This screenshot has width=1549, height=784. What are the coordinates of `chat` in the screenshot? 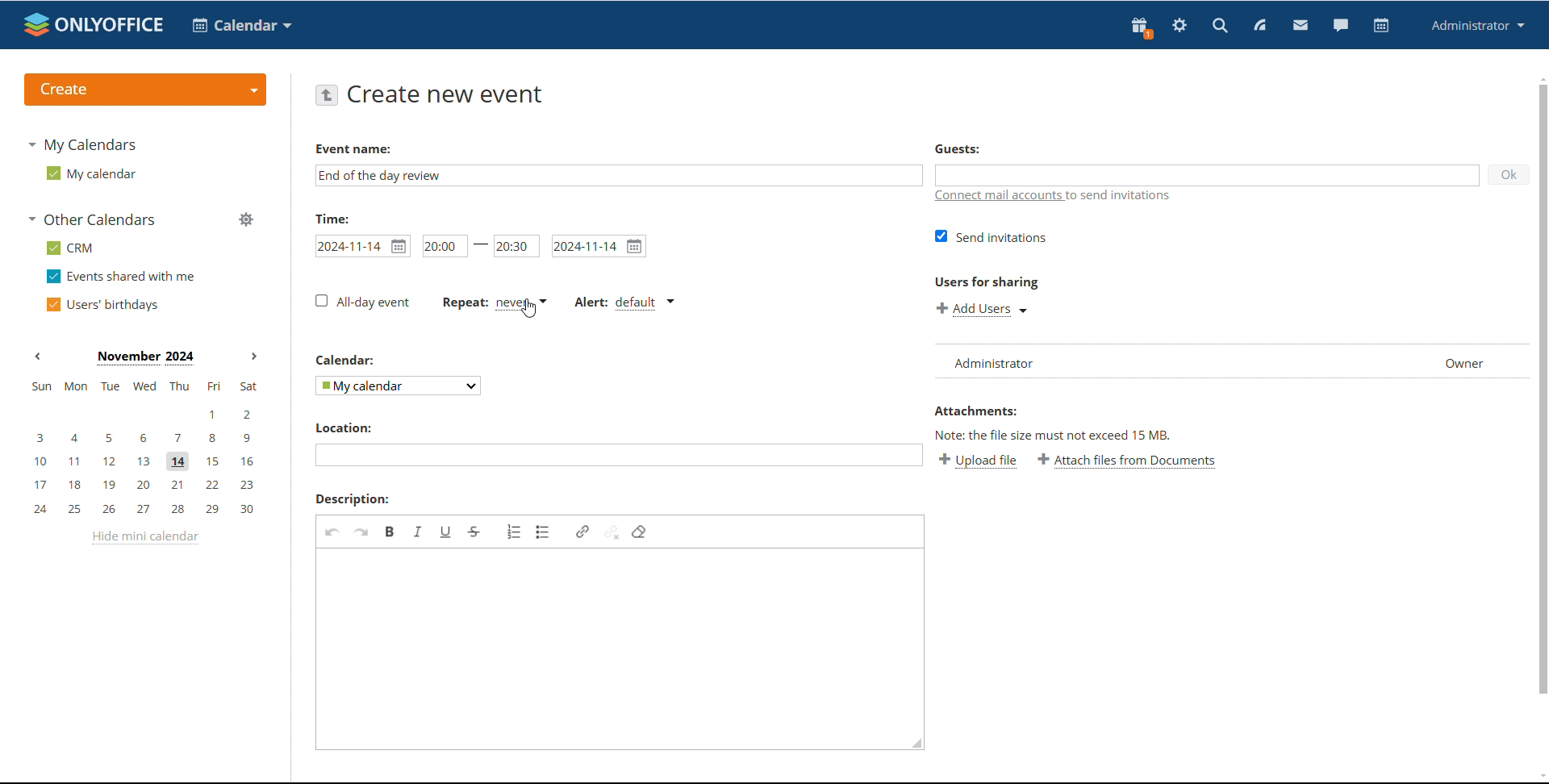 It's located at (1341, 26).